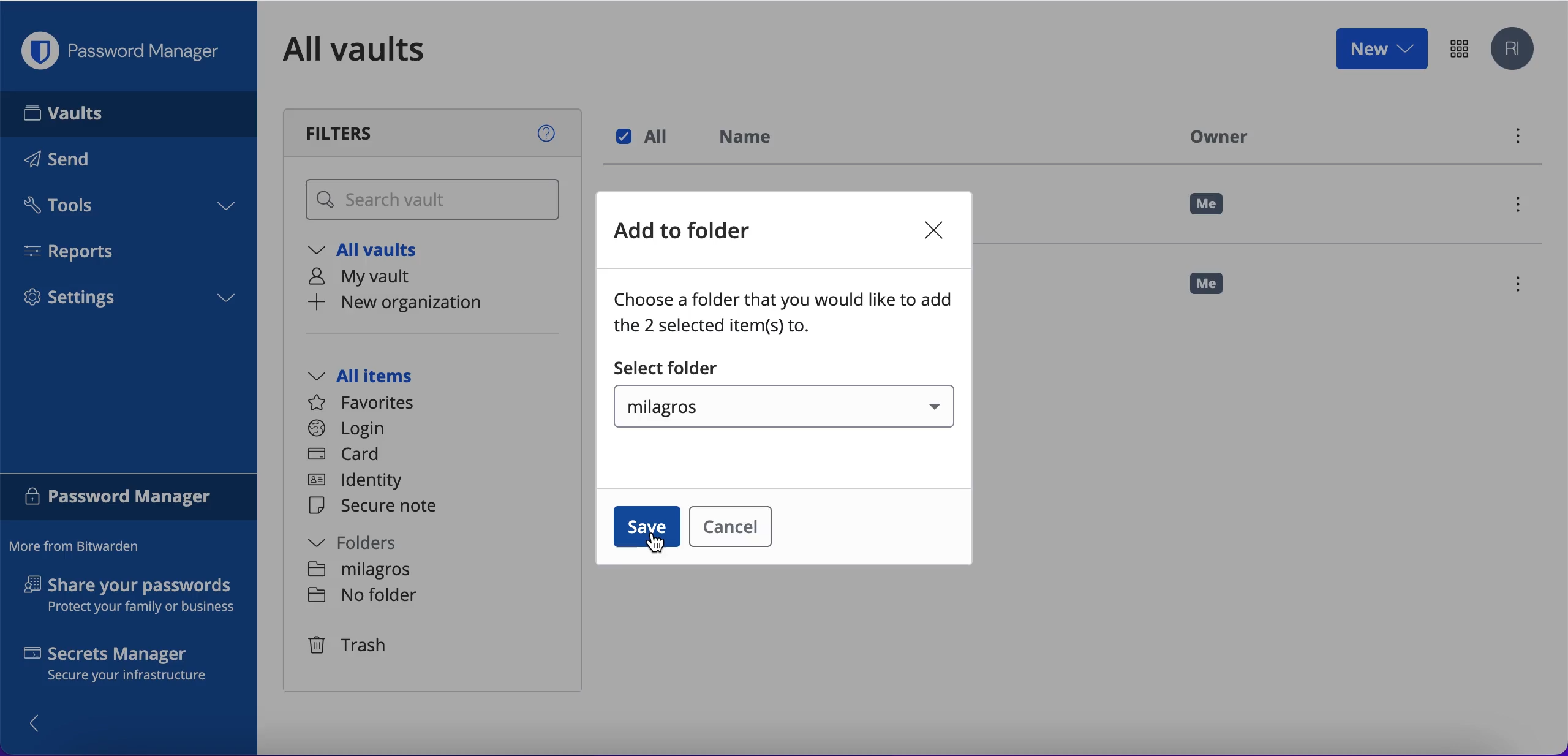  What do you see at coordinates (647, 527) in the screenshot?
I see `save` at bounding box center [647, 527].